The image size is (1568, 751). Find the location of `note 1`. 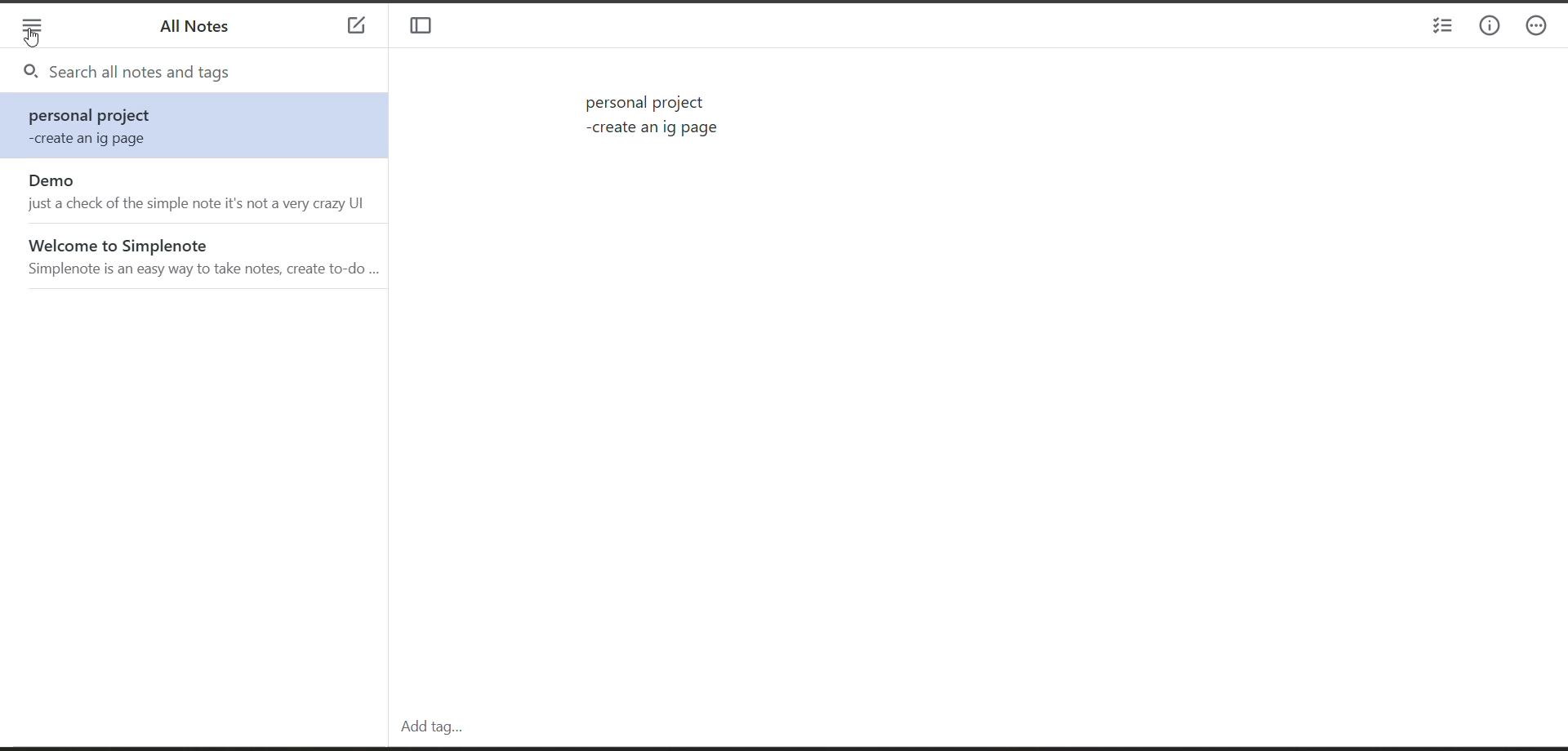

note 1 is located at coordinates (200, 127).